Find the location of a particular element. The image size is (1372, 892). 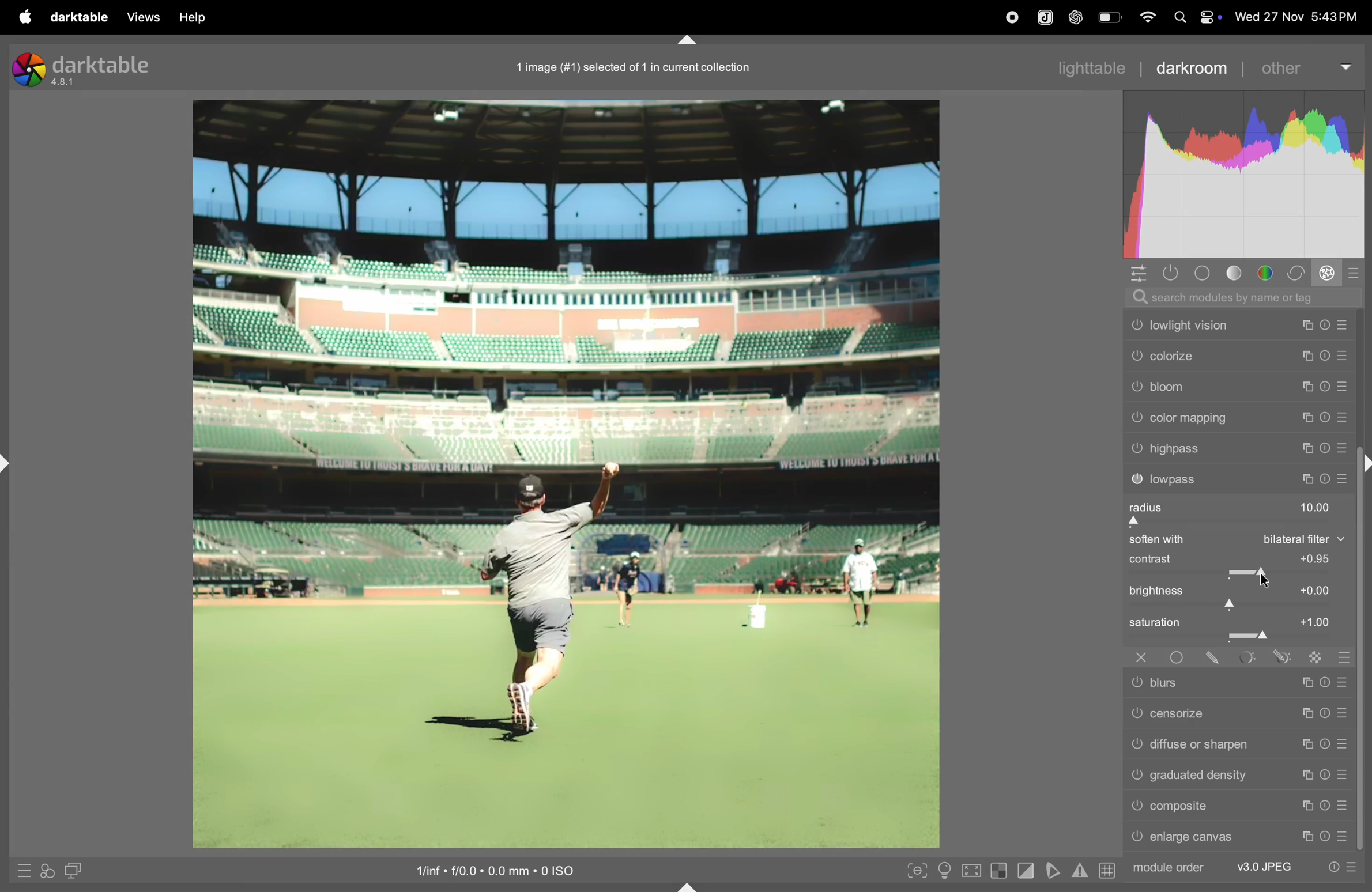

dark table version is located at coordinates (82, 68).